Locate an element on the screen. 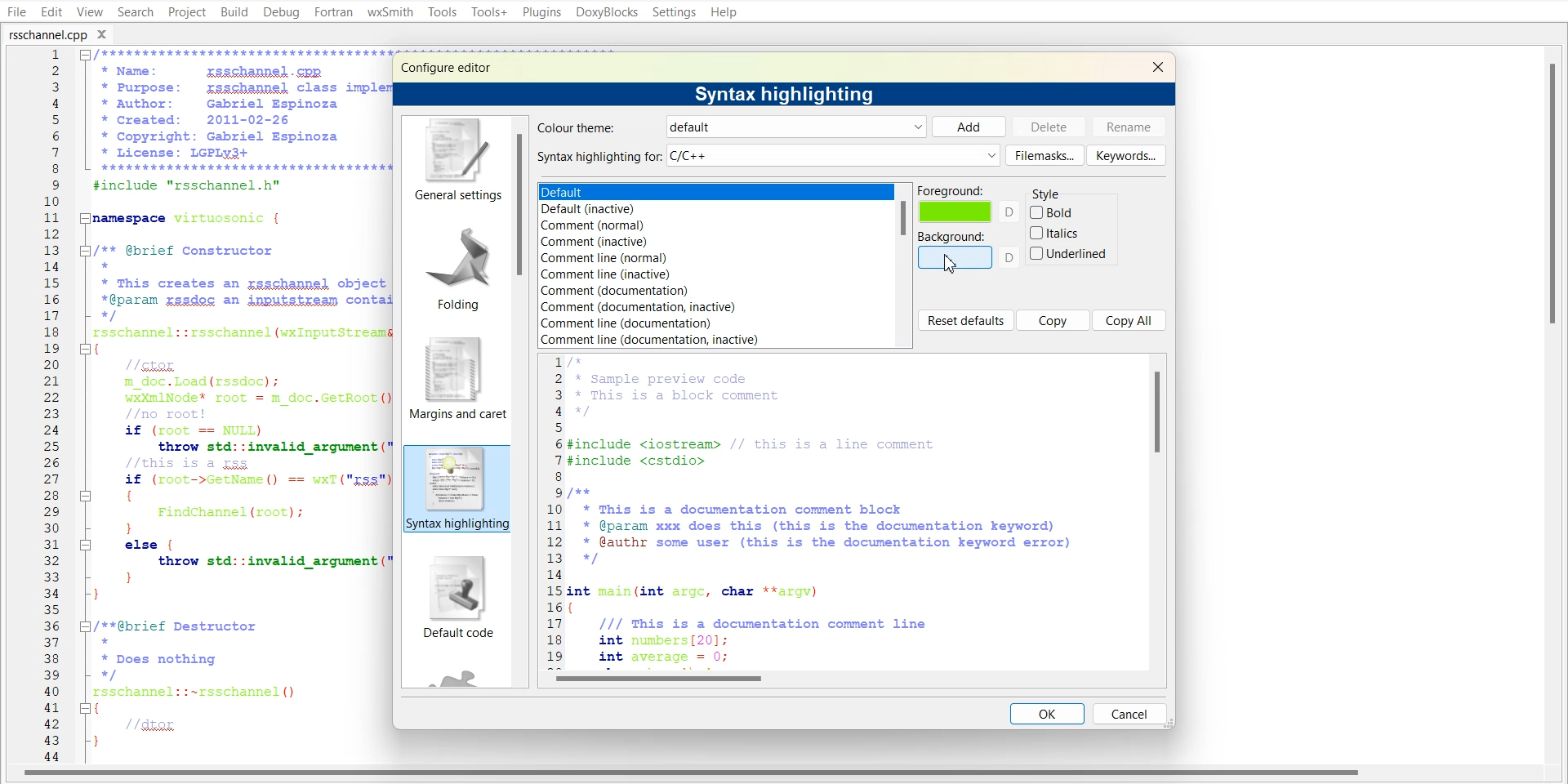  Vertical scroll bar is located at coordinates (1158, 510).